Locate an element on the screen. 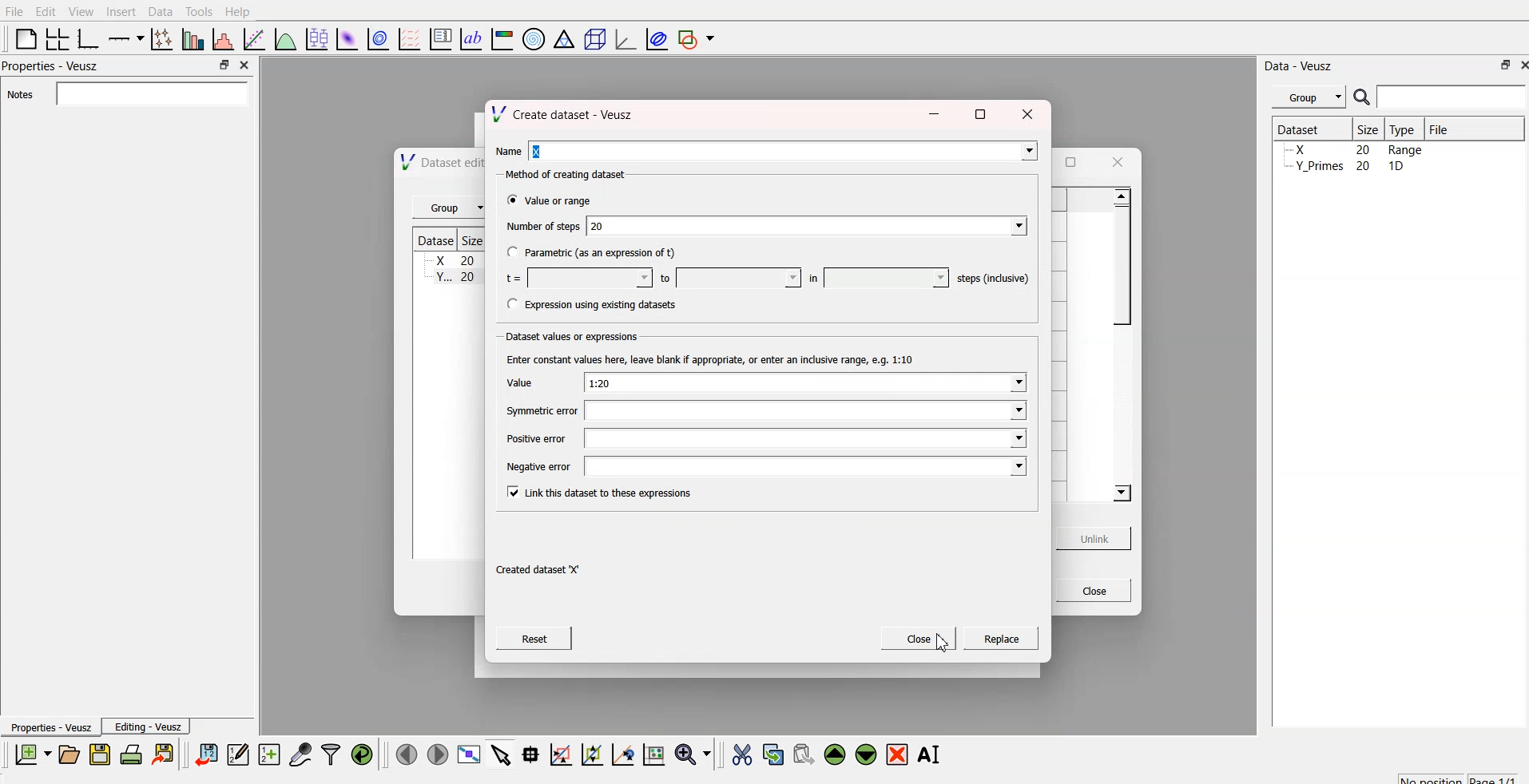  y.. 20 is located at coordinates (449, 278).